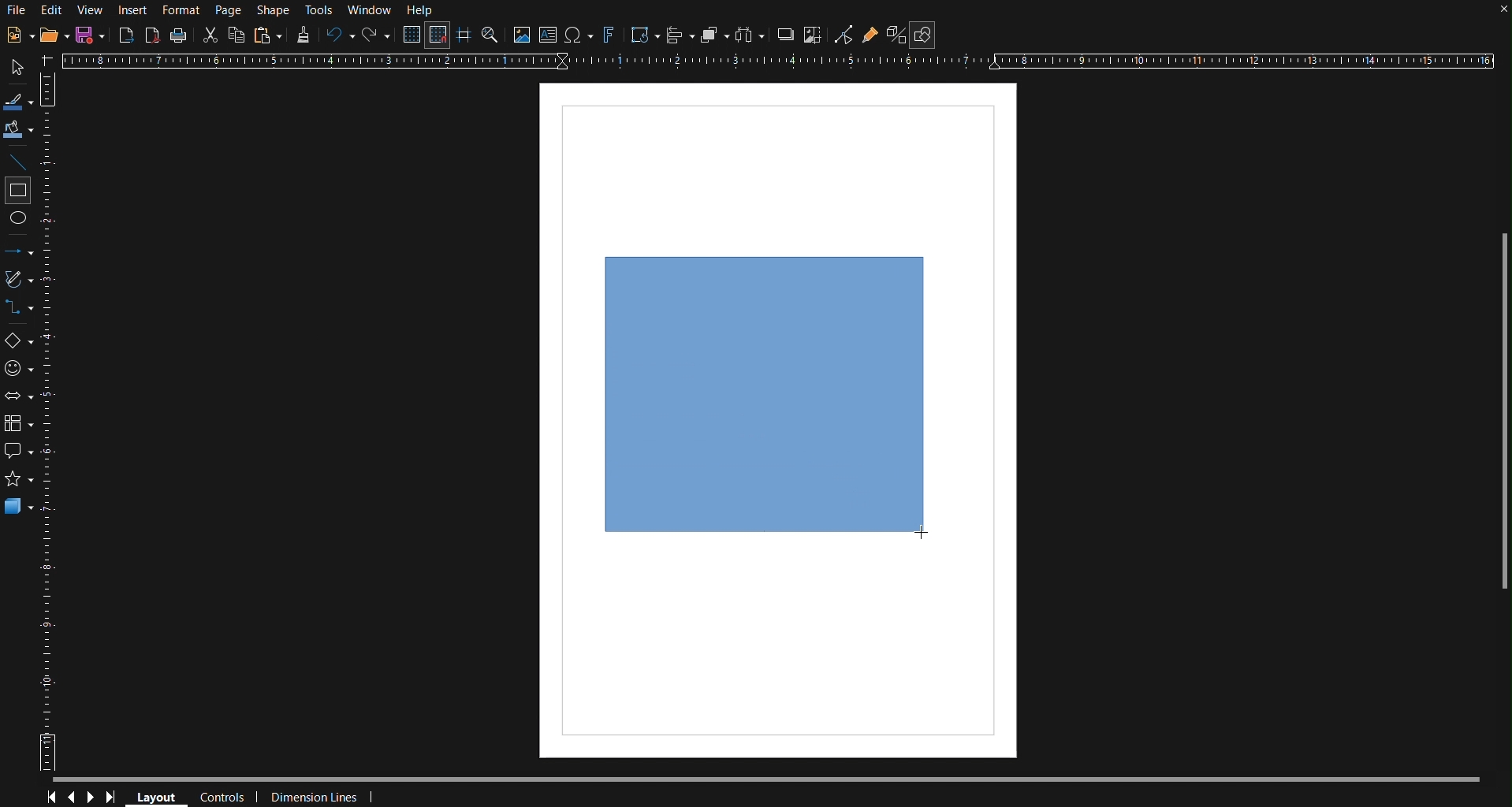  Describe the element at coordinates (779, 780) in the screenshot. I see `Scrollbar` at that location.